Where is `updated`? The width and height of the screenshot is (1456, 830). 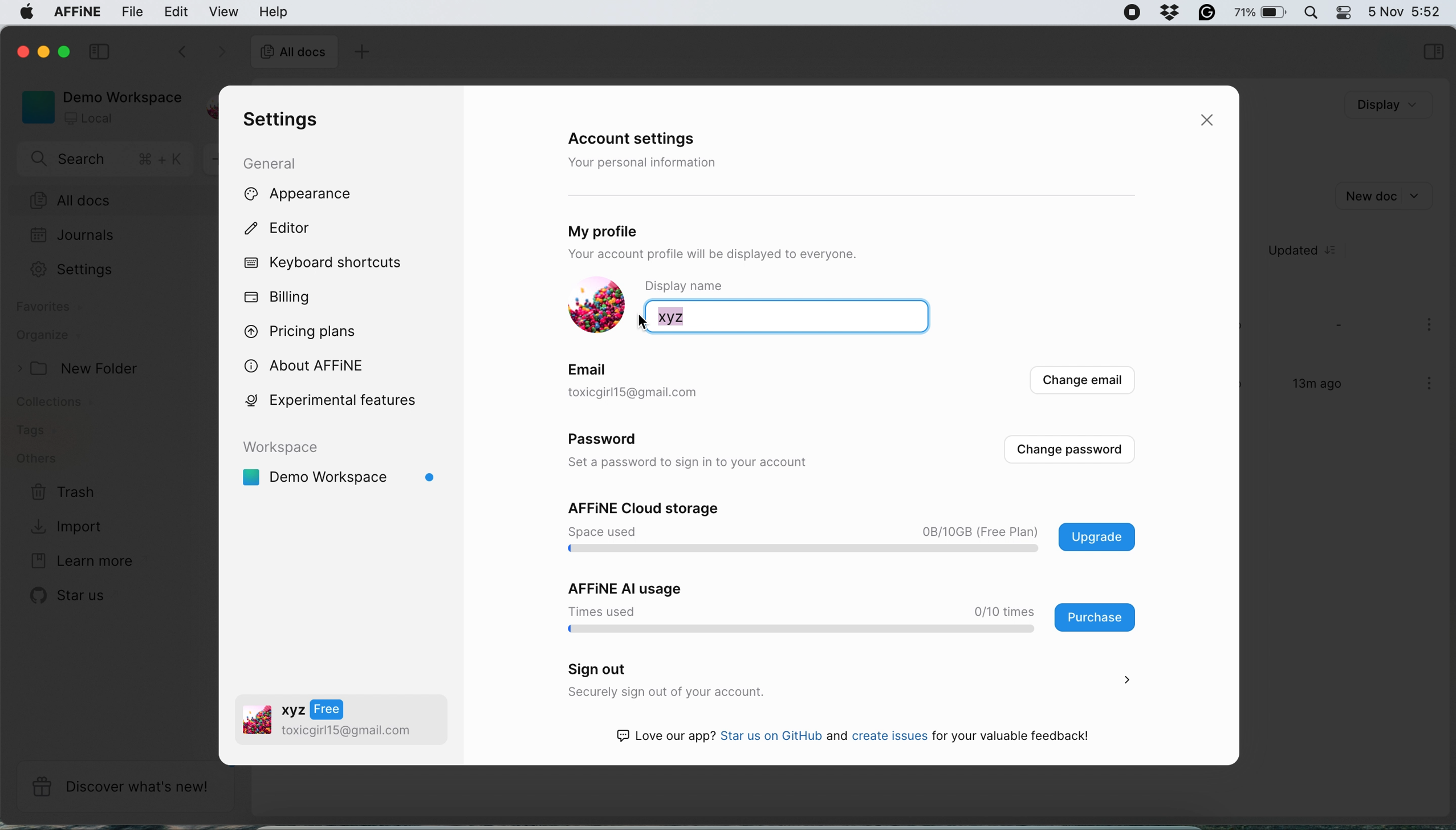
updated is located at coordinates (1310, 251).